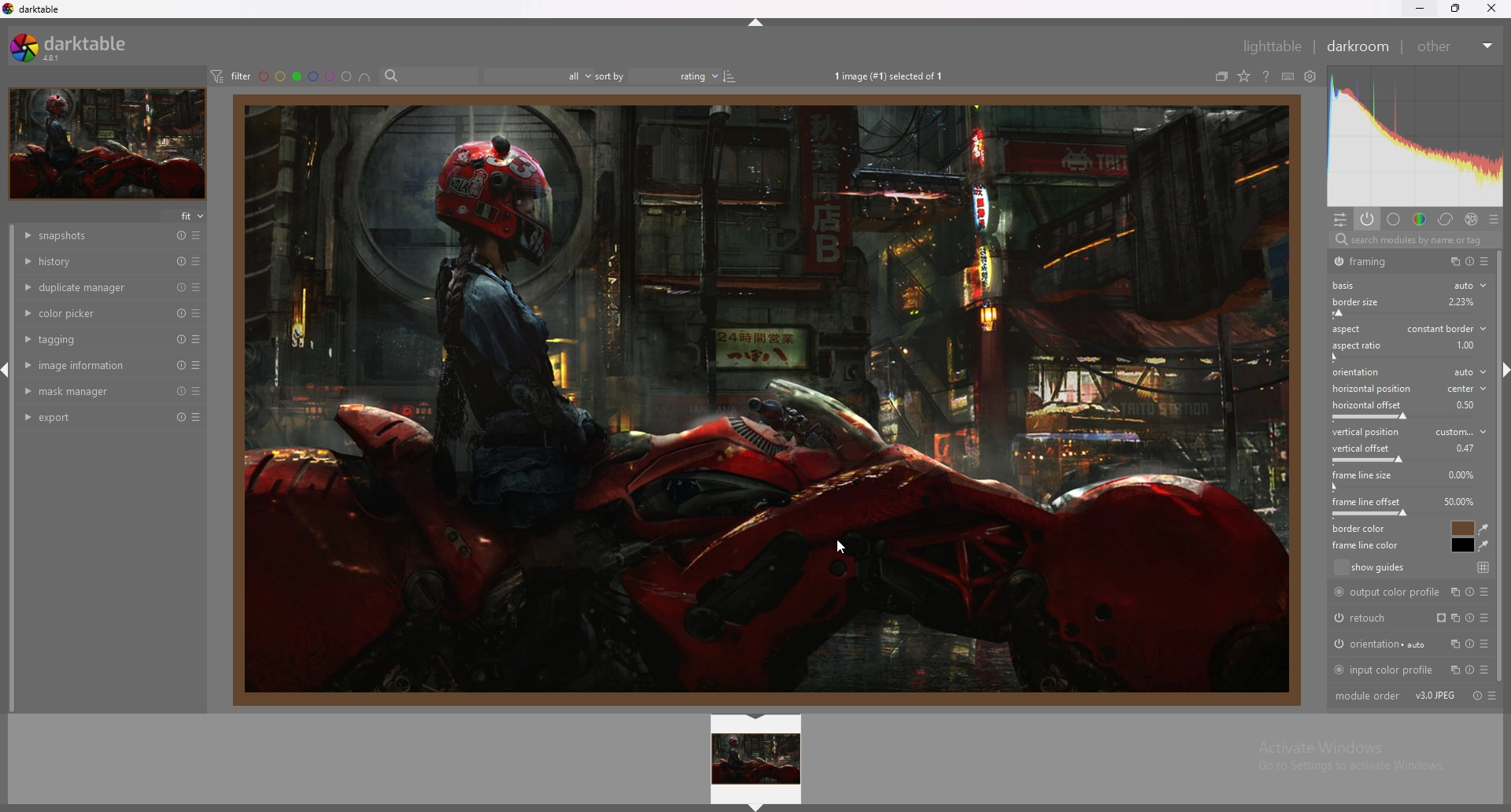 This screenshot has height=812, width=1511. I want to click on aspect ratio, so click(1356, 346).